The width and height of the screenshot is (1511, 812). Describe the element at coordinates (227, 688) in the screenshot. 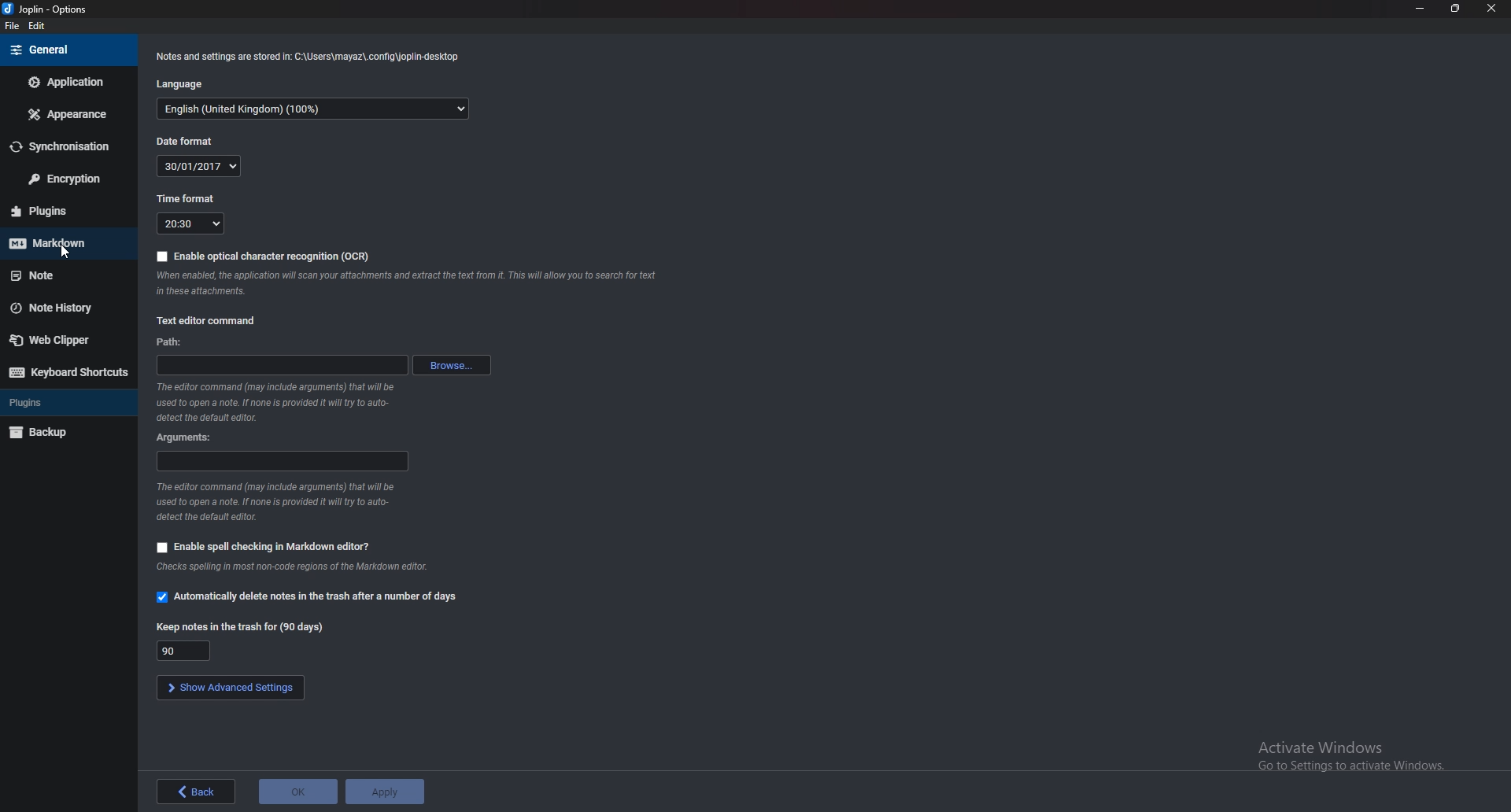

I see `Show advanced settings` at that location.